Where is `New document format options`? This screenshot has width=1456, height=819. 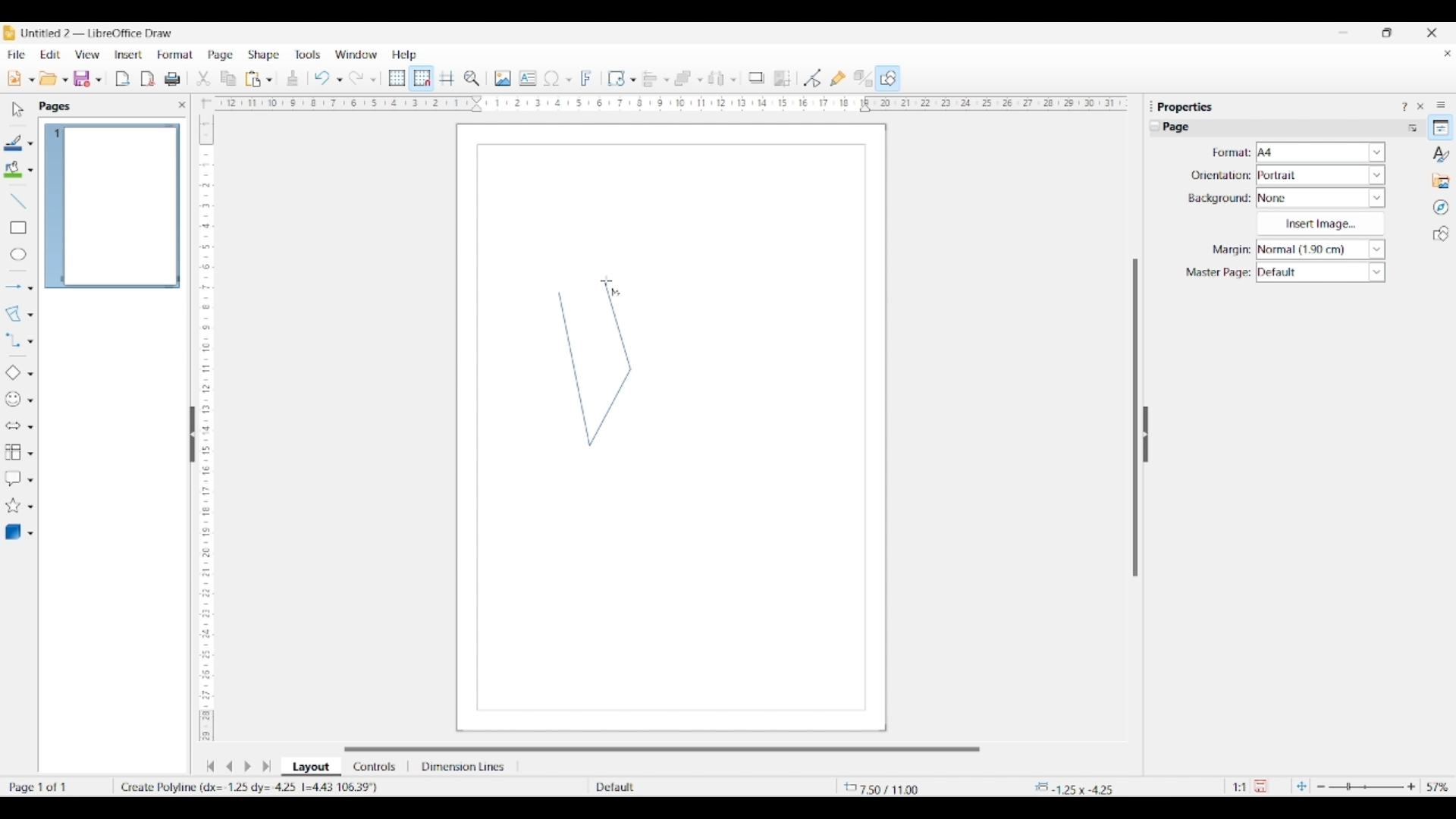 New document format options is located at coordinates (32, 80).